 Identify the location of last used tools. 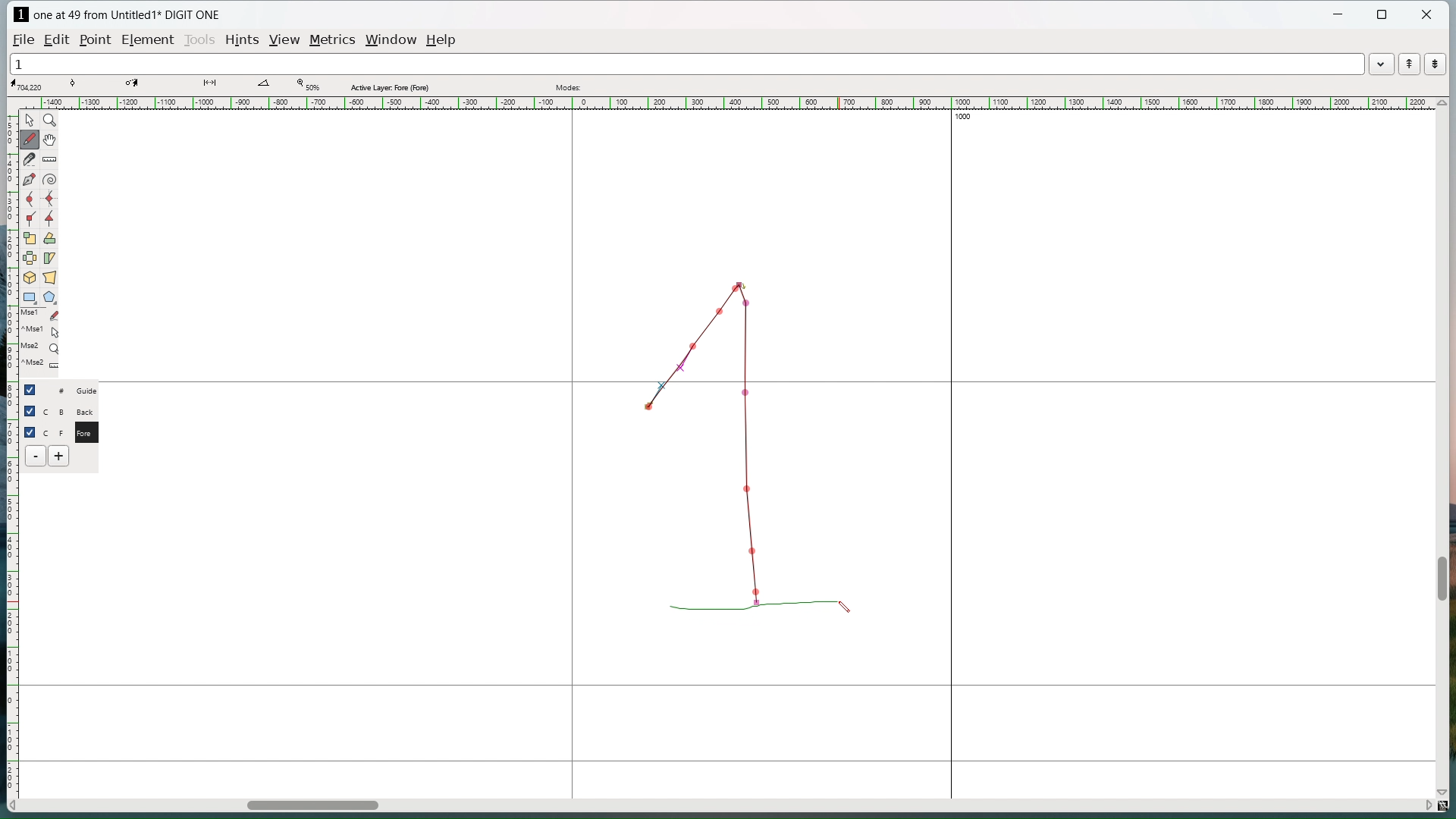
(39, 343).